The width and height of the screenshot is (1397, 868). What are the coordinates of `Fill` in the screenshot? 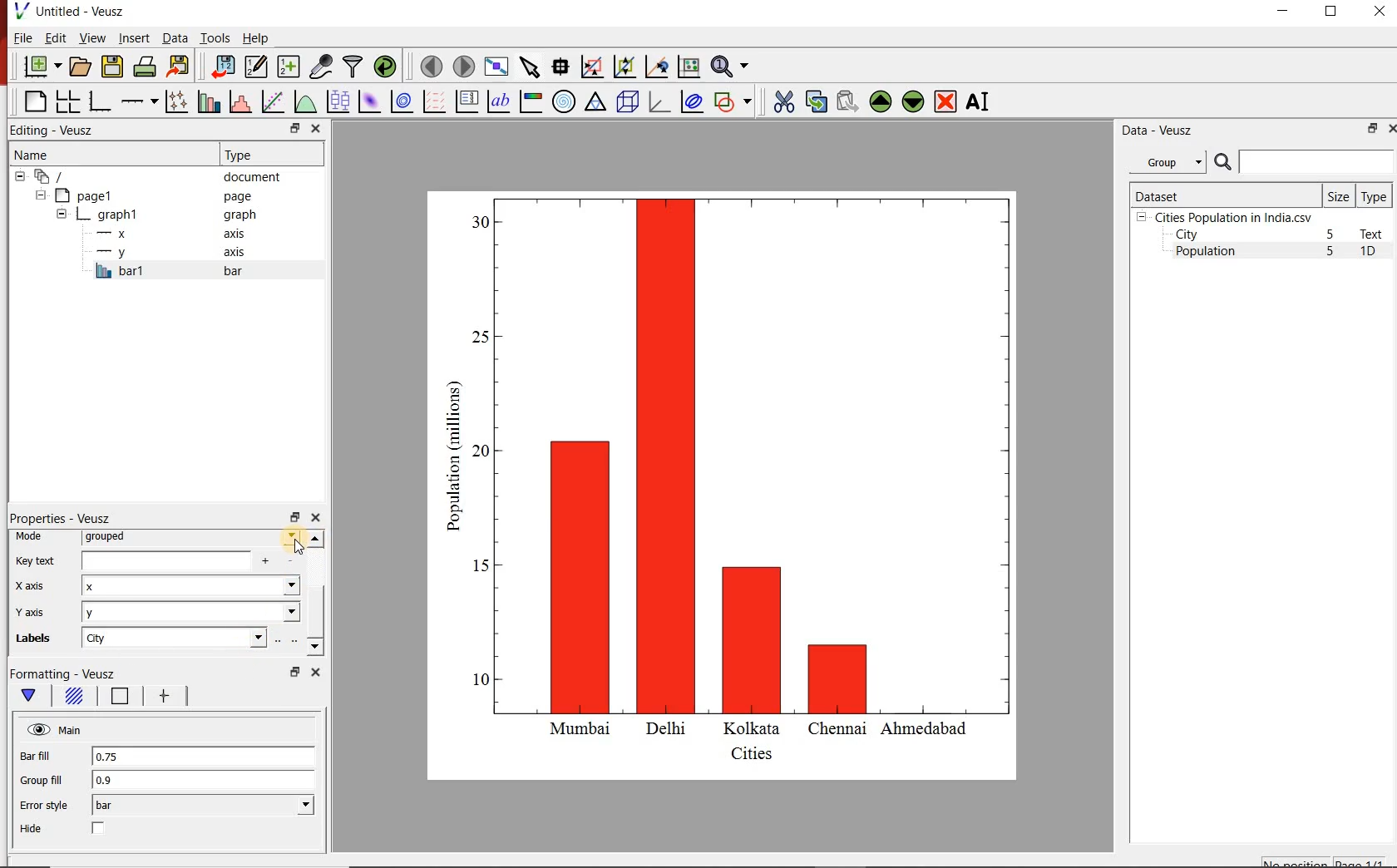 It's located at (73, 698).